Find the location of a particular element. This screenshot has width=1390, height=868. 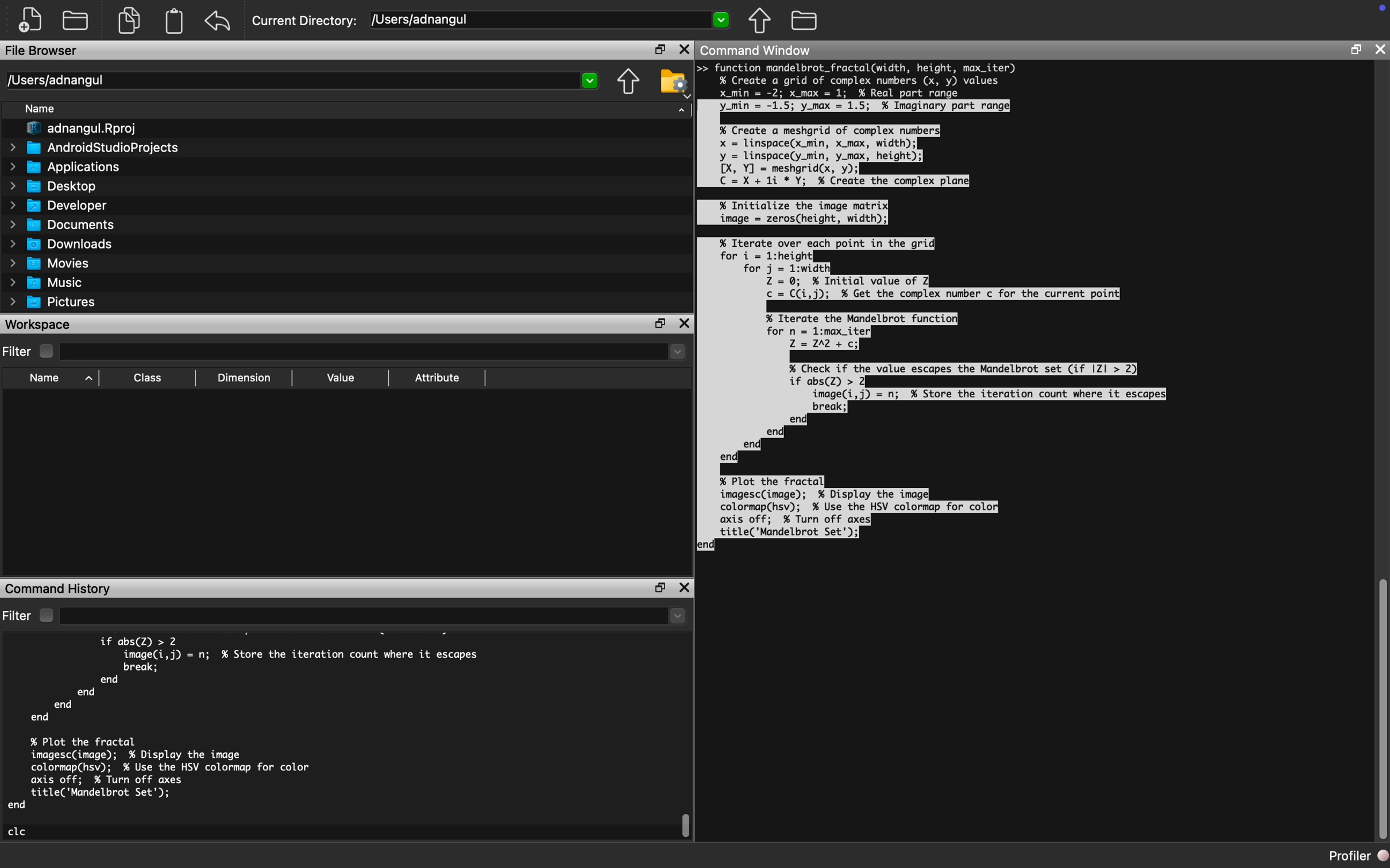

Parent Directory is located at coordinates (630, 81).